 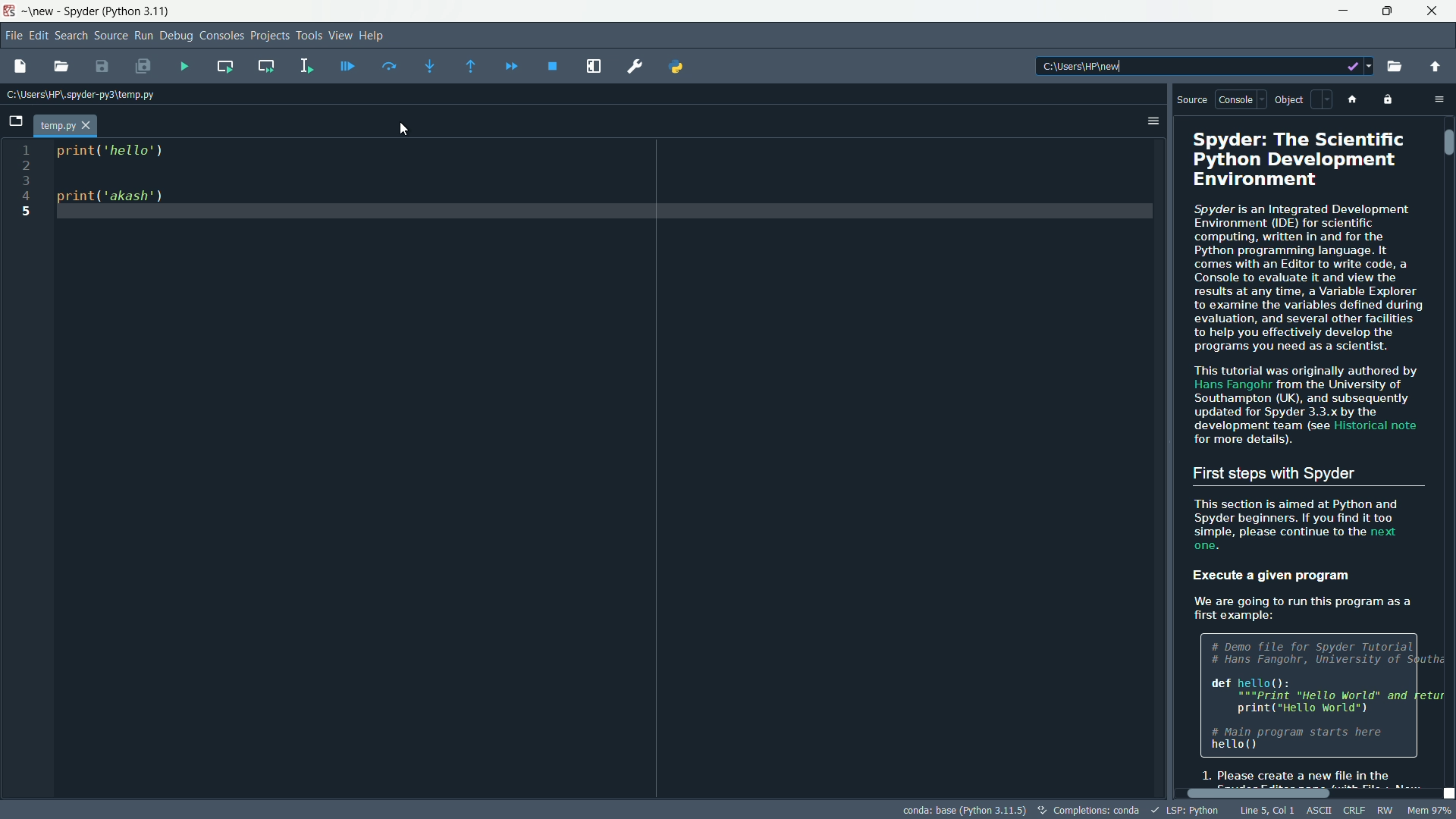 I want to click on Horizontal Scroll bar, so click(x=1260, y=795).